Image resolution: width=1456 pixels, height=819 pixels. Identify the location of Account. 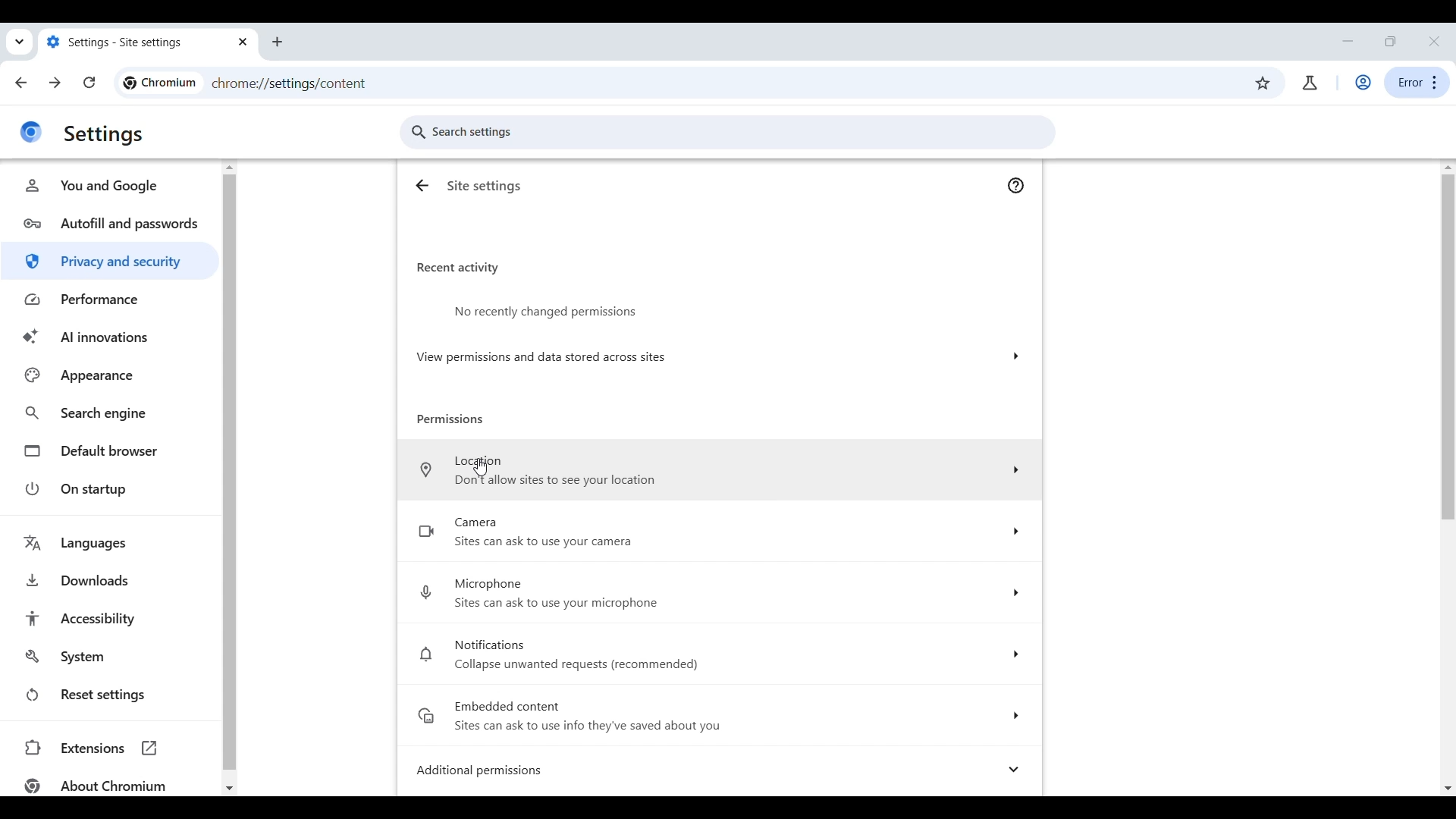
(1363, 83).